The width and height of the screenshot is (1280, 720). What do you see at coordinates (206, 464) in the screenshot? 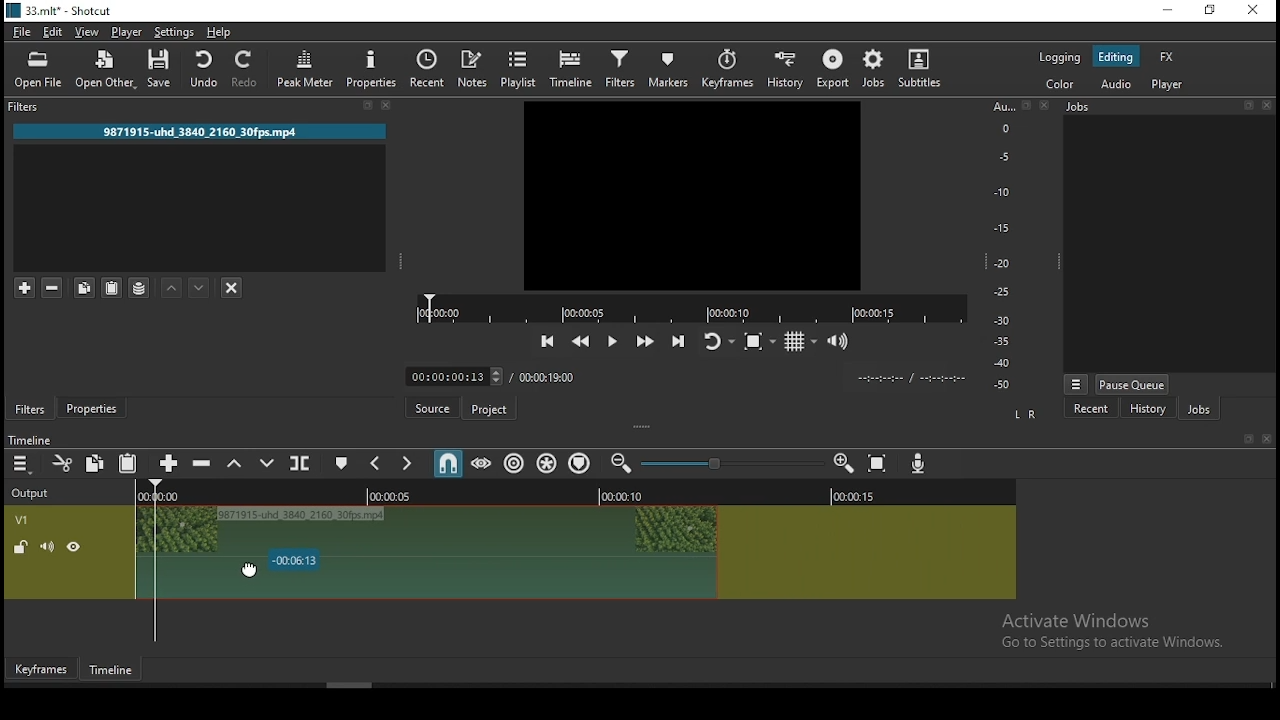
I see `ripple delete` at bounding box center [206, 464].